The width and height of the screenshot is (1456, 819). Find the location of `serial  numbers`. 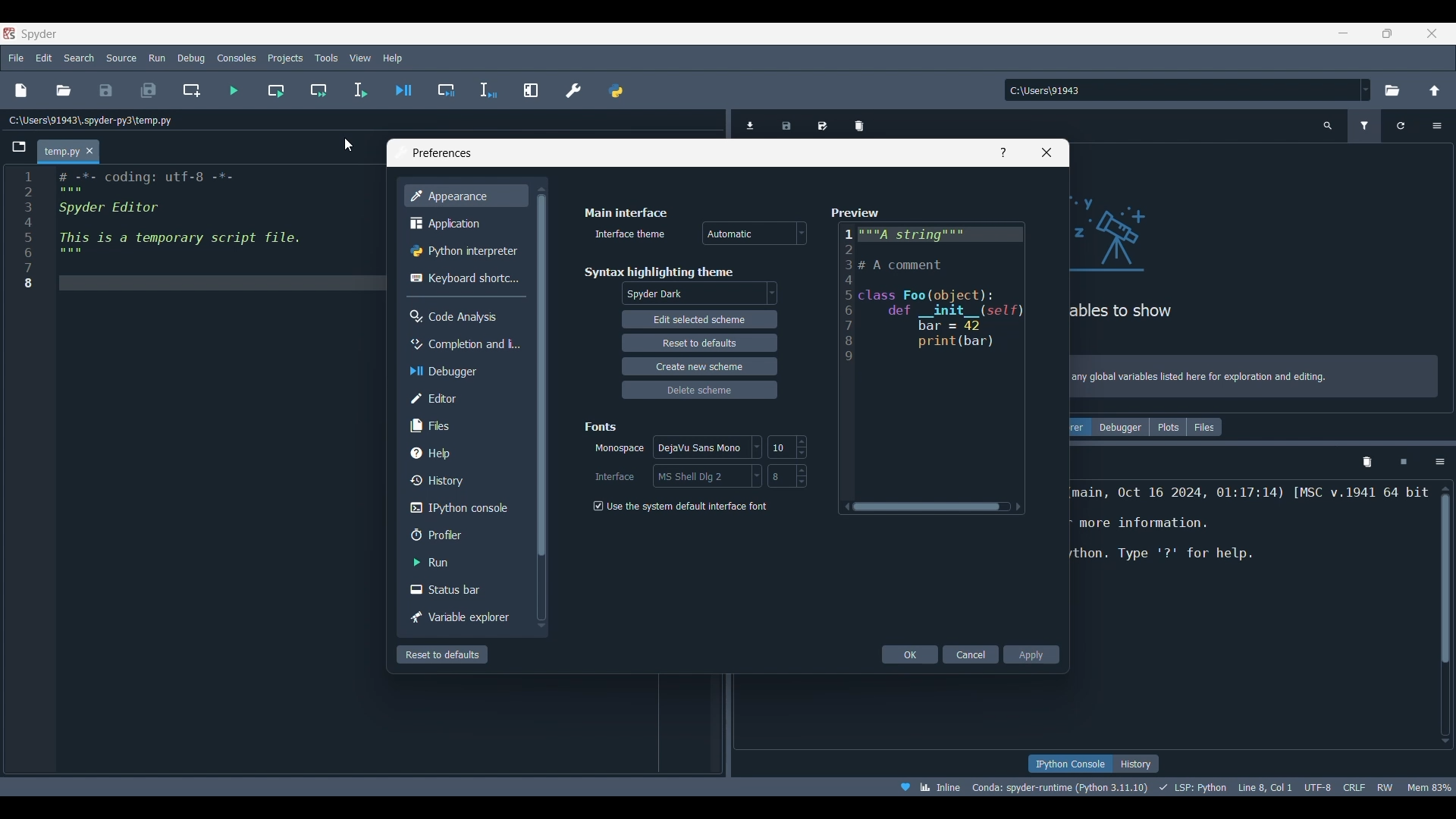

serial  numbers is located at coordinates (26, 237).